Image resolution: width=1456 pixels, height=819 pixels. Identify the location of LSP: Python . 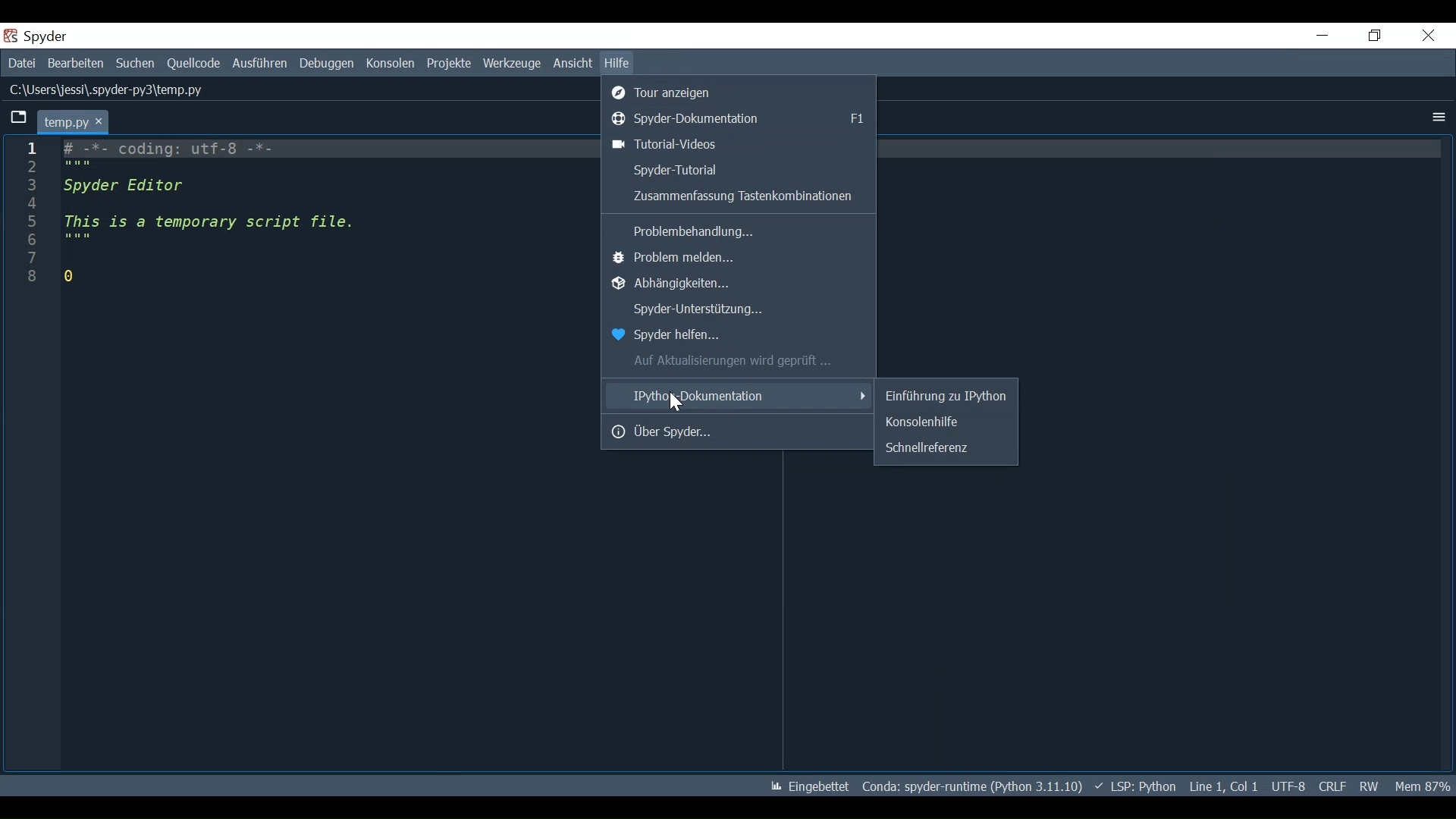
(1137, 786).